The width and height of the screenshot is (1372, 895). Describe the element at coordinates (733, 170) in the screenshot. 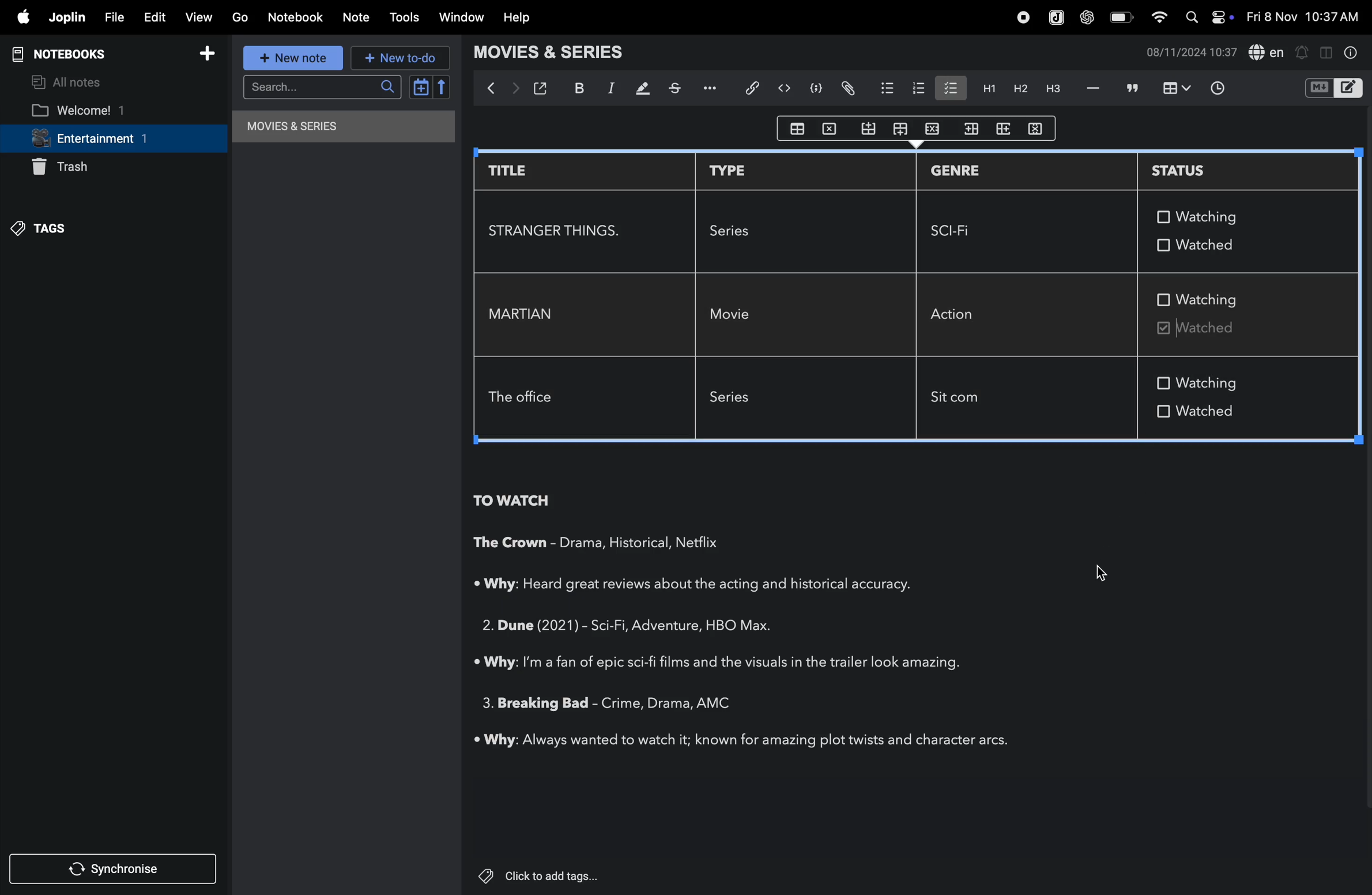

I see `type` at that location.